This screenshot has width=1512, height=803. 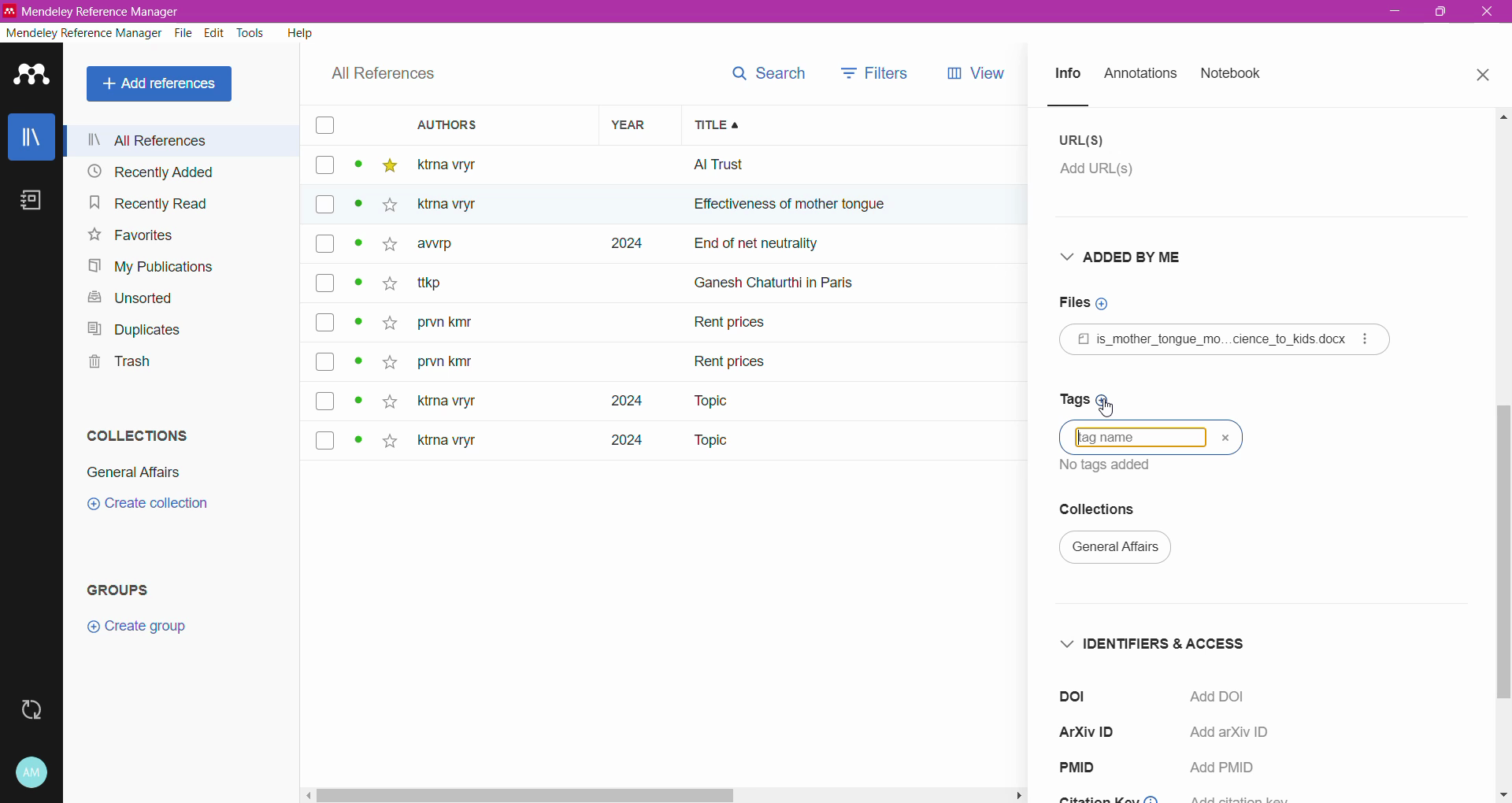 I want to click on dot , so click(x=358, y=248).